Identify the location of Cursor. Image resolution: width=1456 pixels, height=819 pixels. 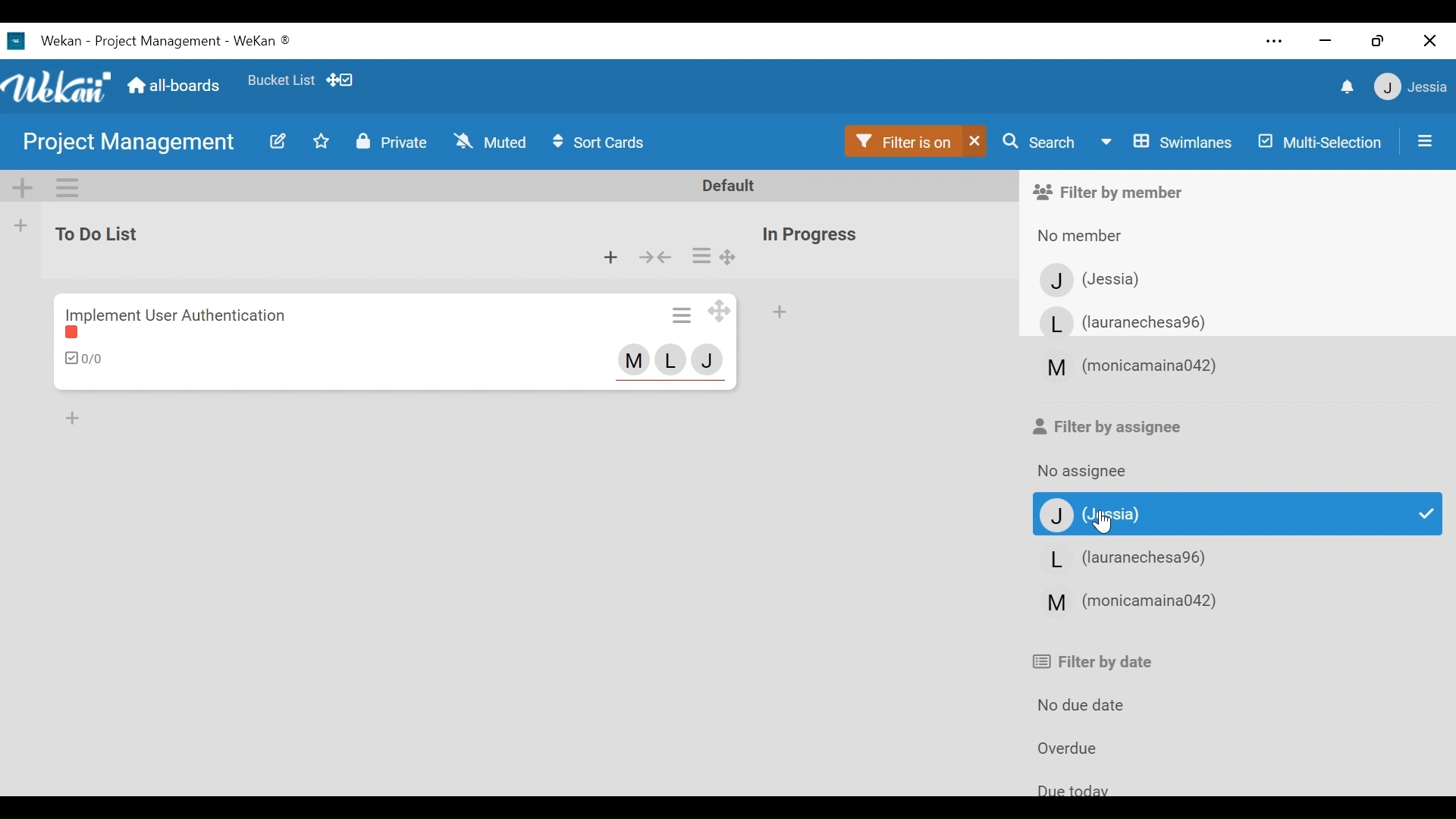
(1105, 525).